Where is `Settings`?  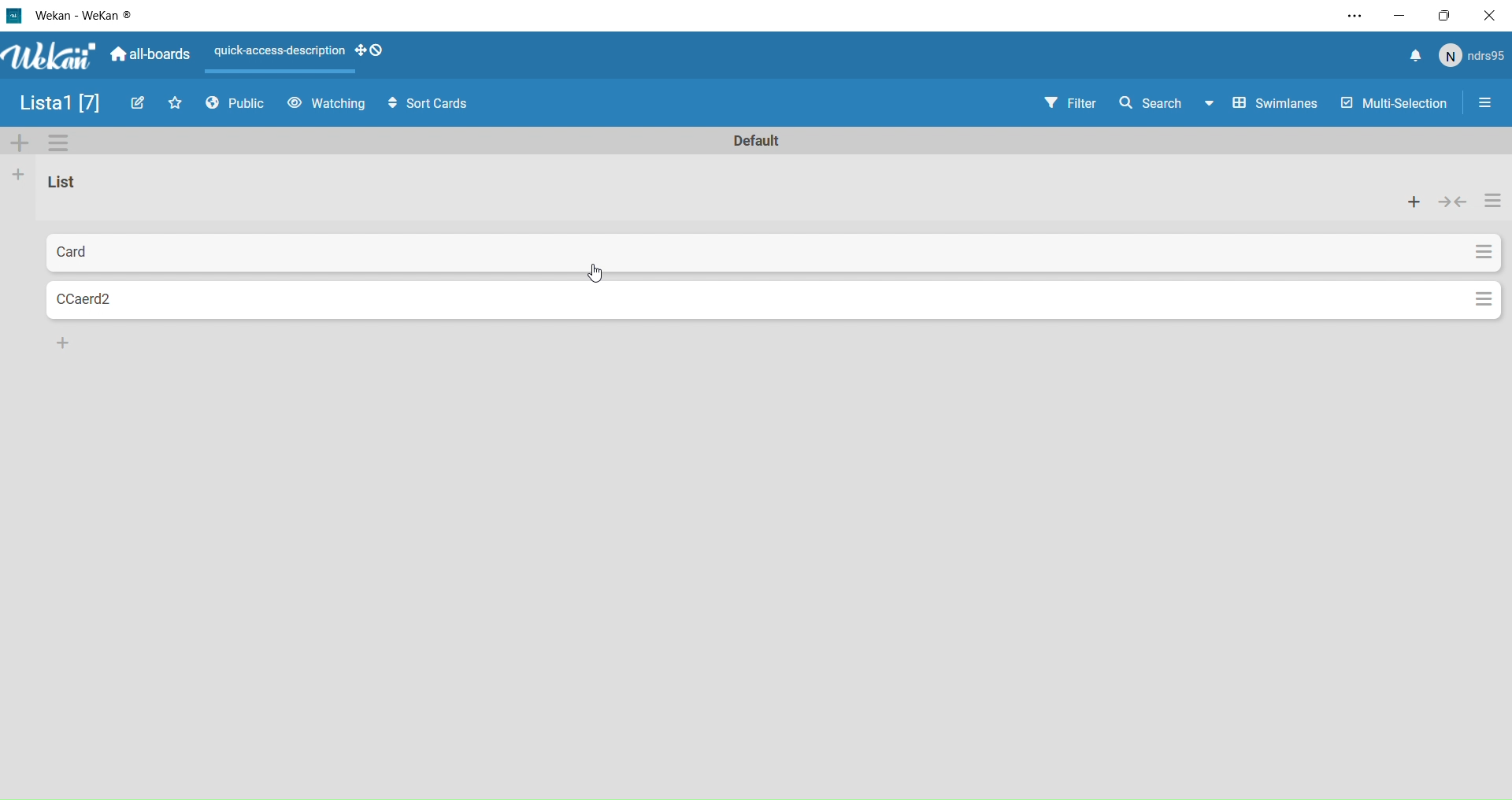
Settings is located at coordinates (1484, 299).